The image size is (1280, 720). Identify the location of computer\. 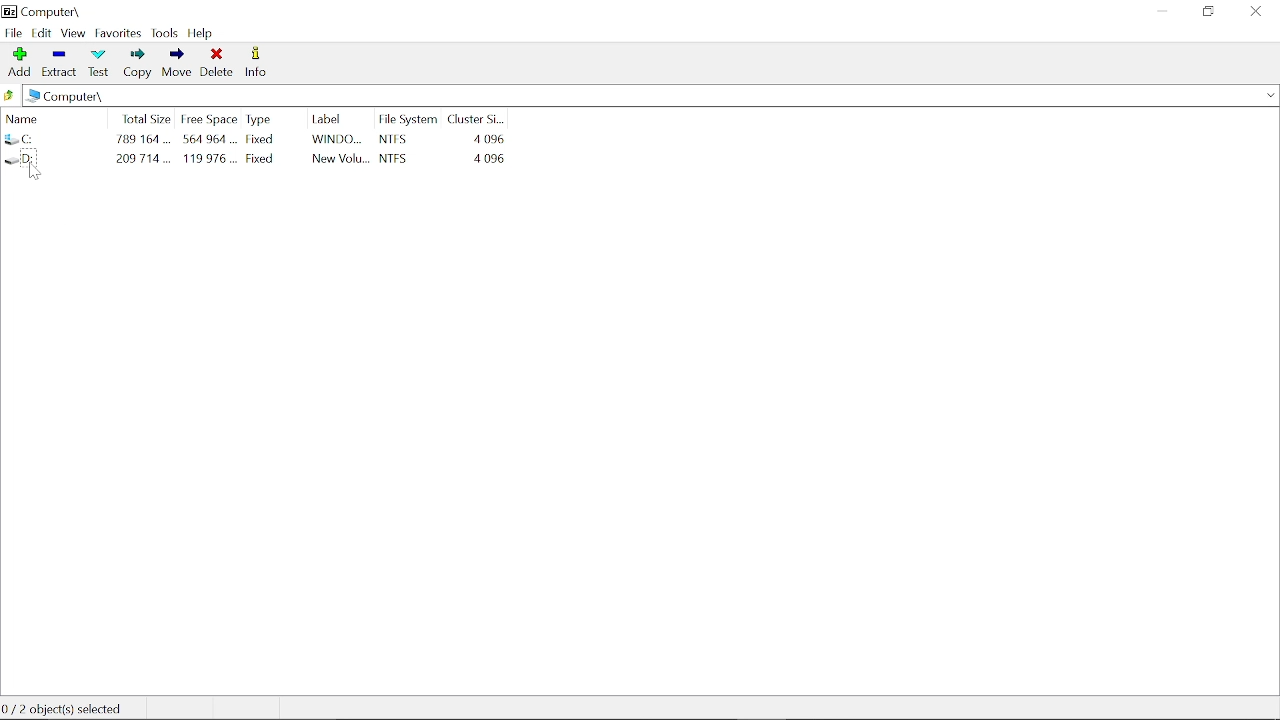
(51, 10).